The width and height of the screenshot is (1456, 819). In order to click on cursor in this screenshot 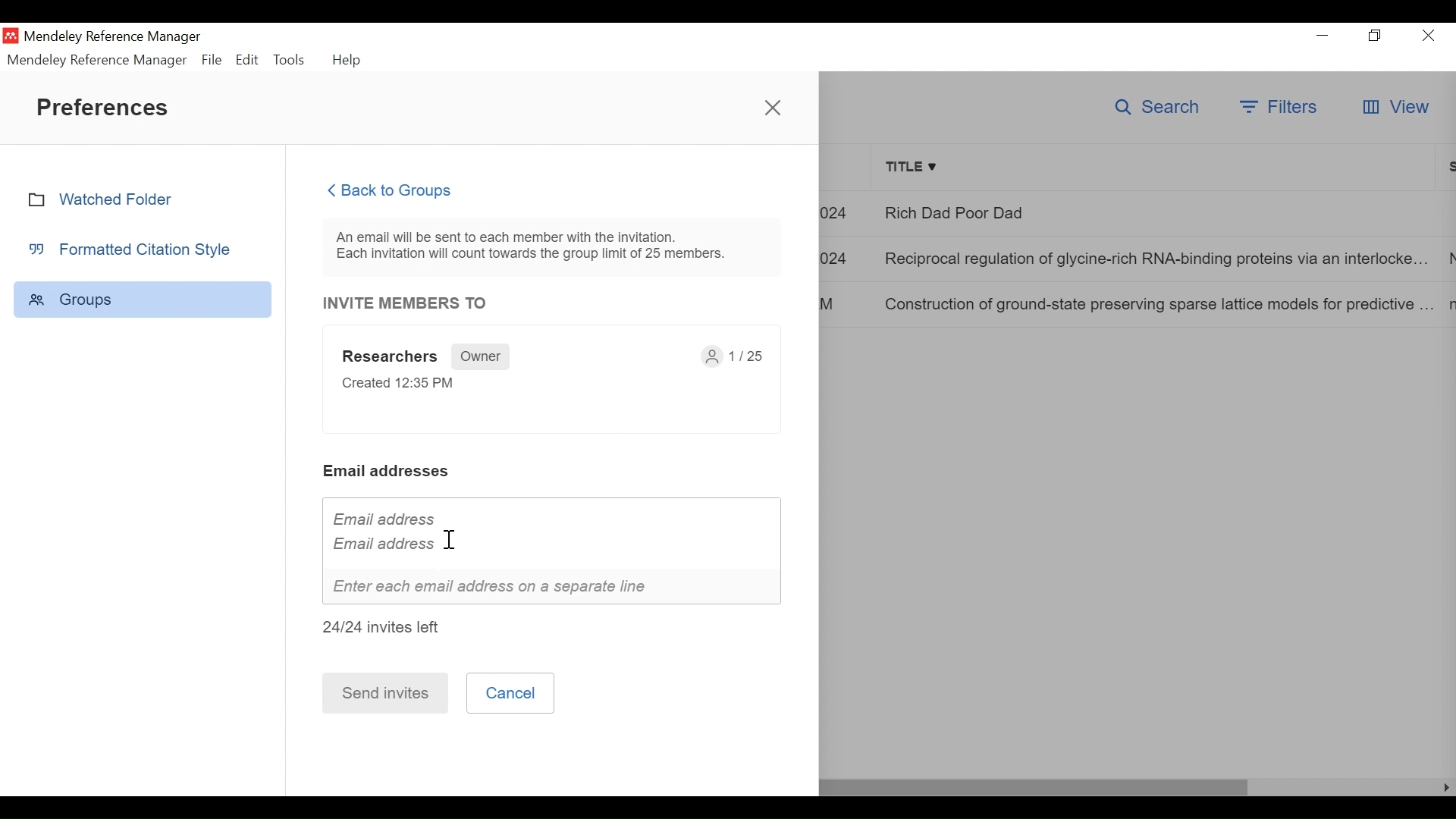, I will do `click(453, 539)`.